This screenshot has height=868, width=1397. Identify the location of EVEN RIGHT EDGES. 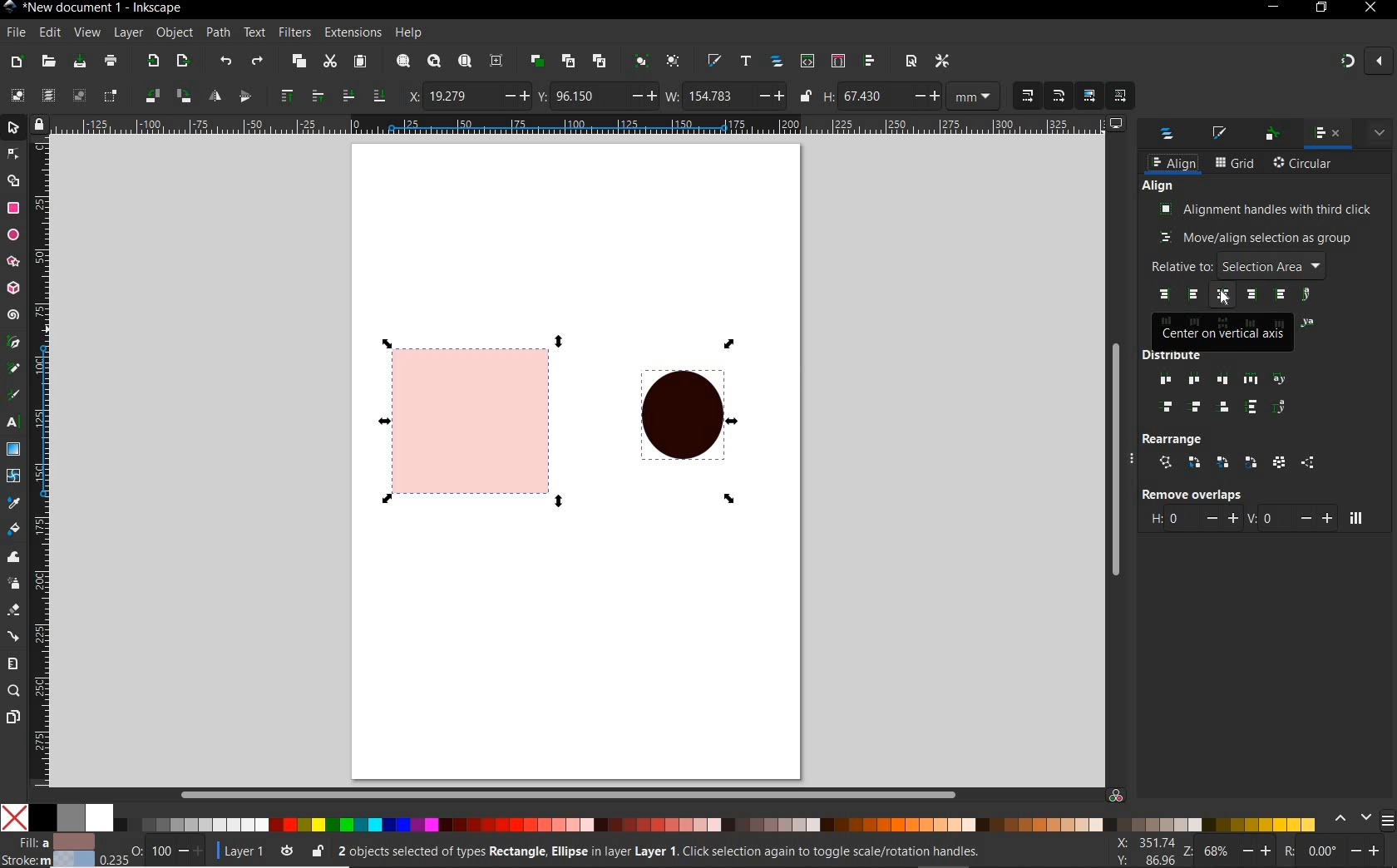
(1224, 381).